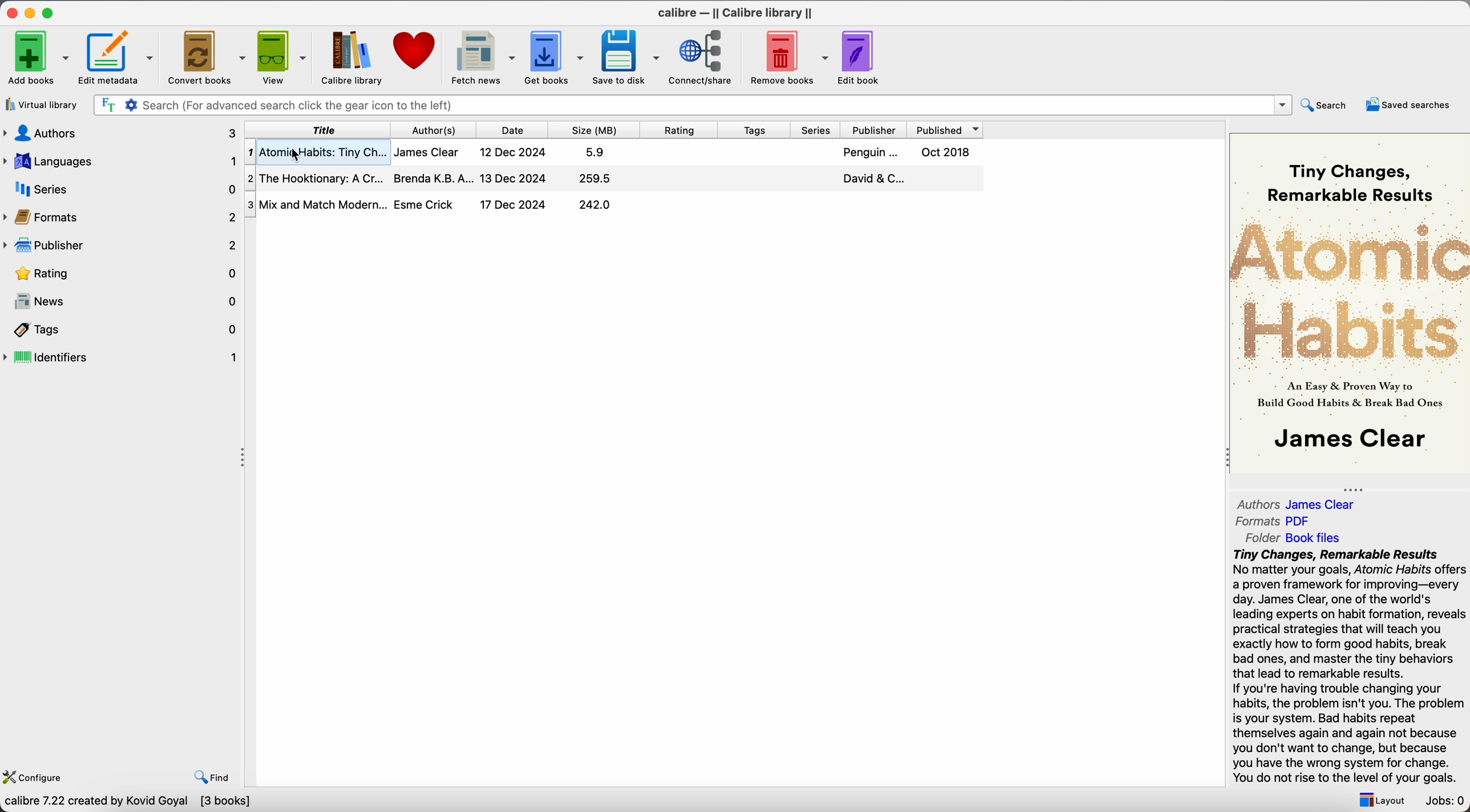 The width and height of the screenshot is (1470, 812). Describe the element at coordinates (33, 776) in the screenshot. I see `configure` at that location.